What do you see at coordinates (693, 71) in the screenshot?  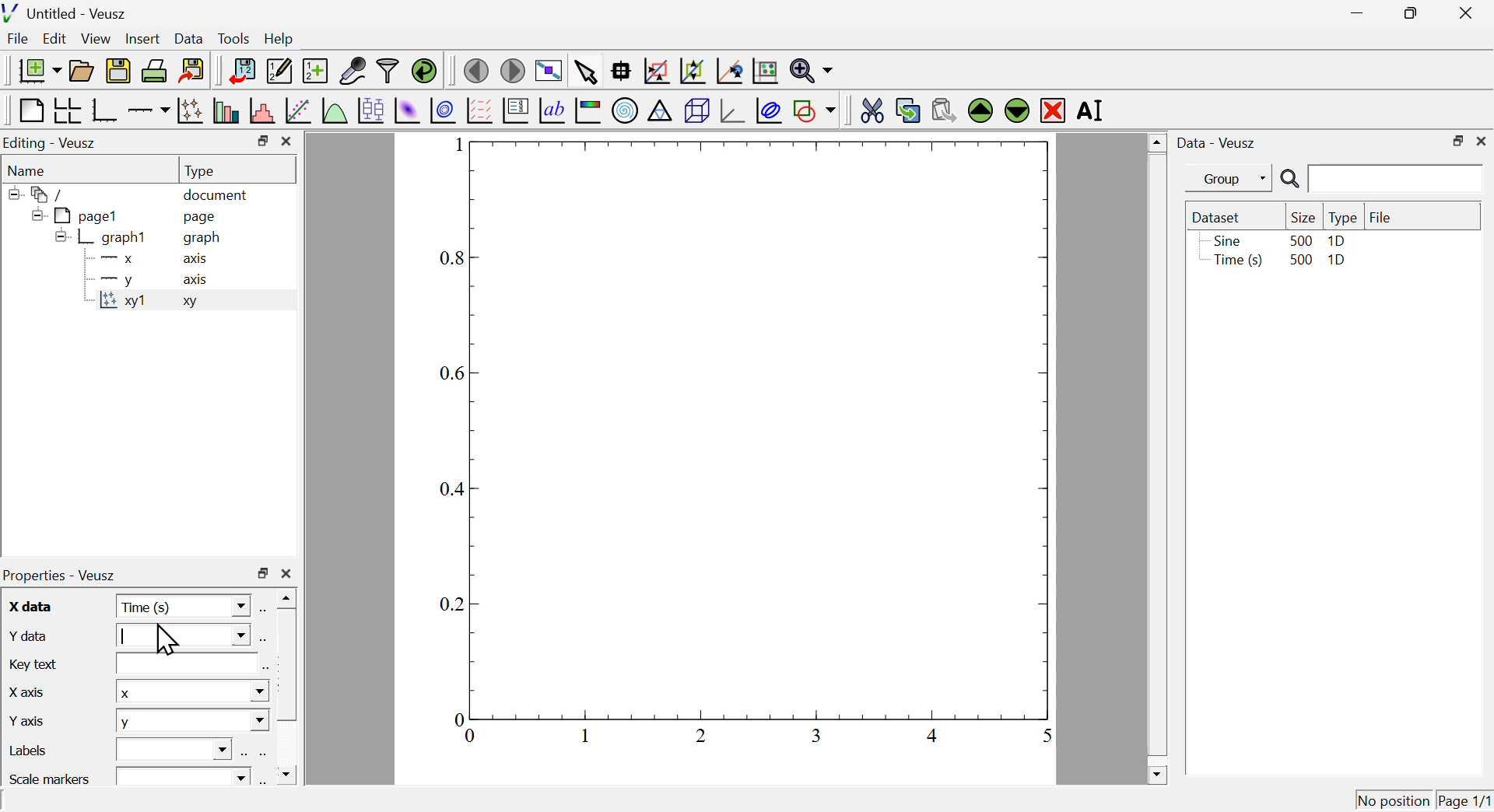 I see `zoom out of graph axes` at bounding box center [693, 71].